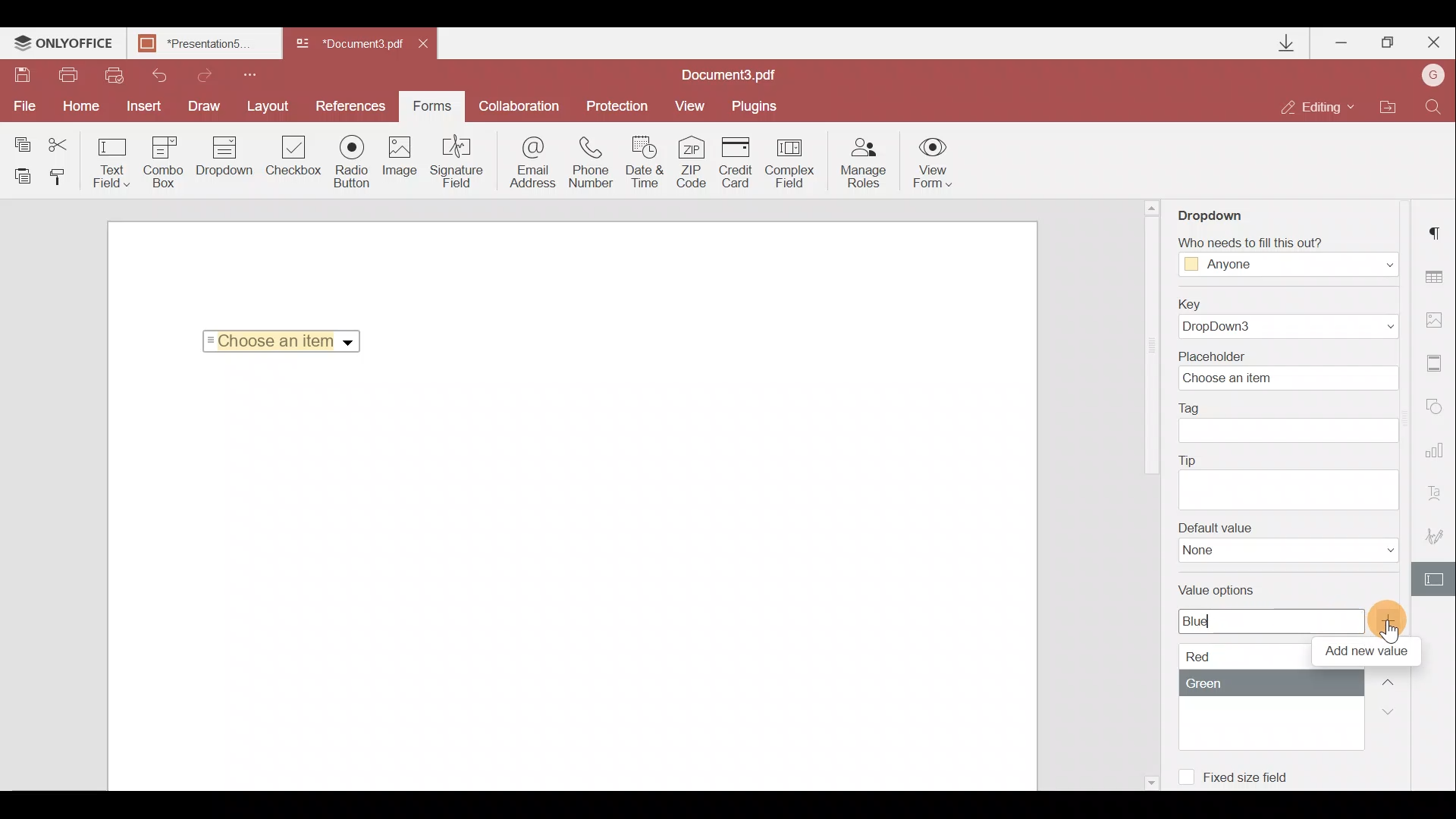  Describe the element at coordinates (256, 74) in the screenshot. I see `Customize quick access toolbar` at that location.